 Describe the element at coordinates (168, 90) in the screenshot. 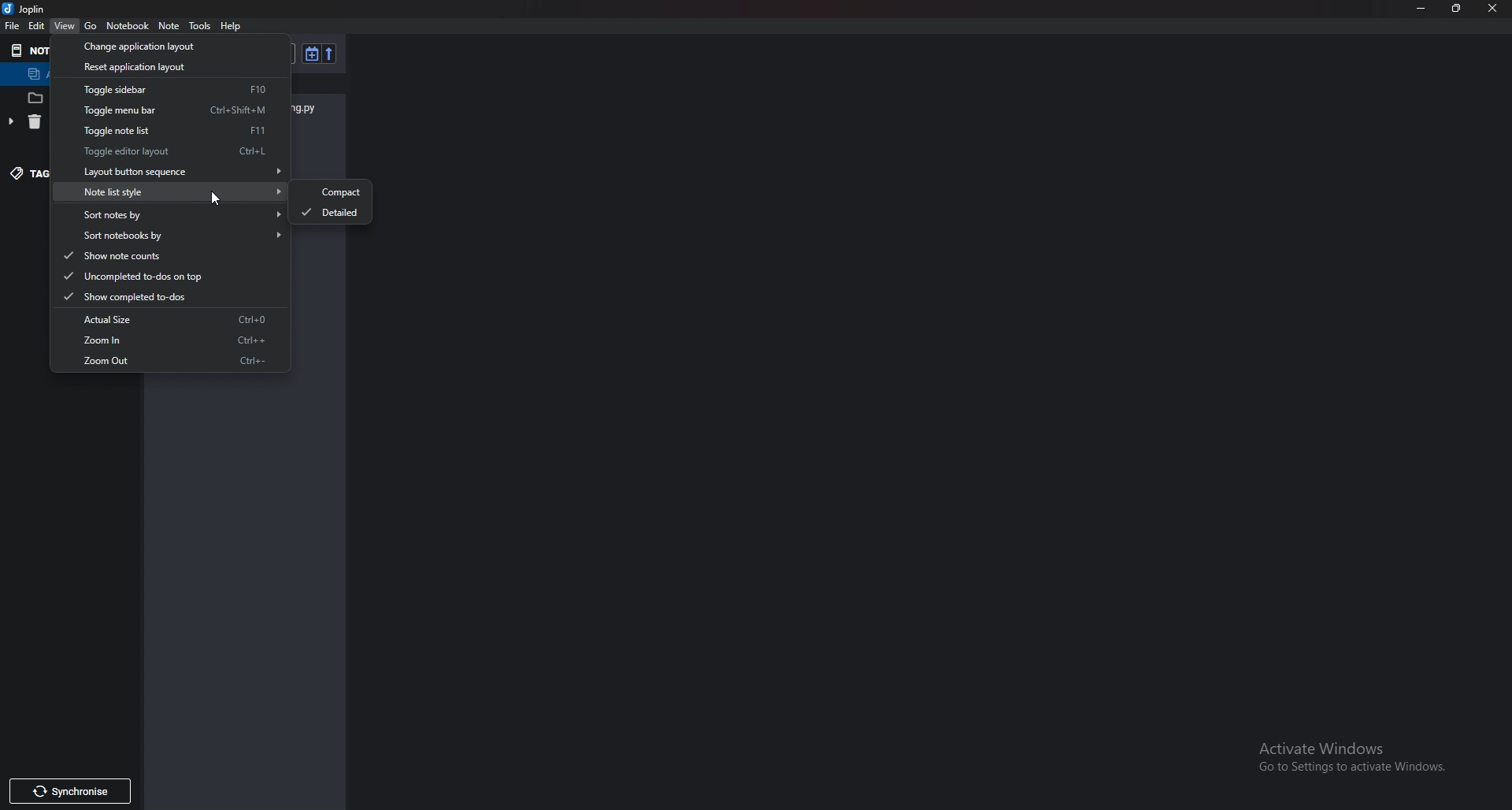

I see `Toggle sidebar` at that location.